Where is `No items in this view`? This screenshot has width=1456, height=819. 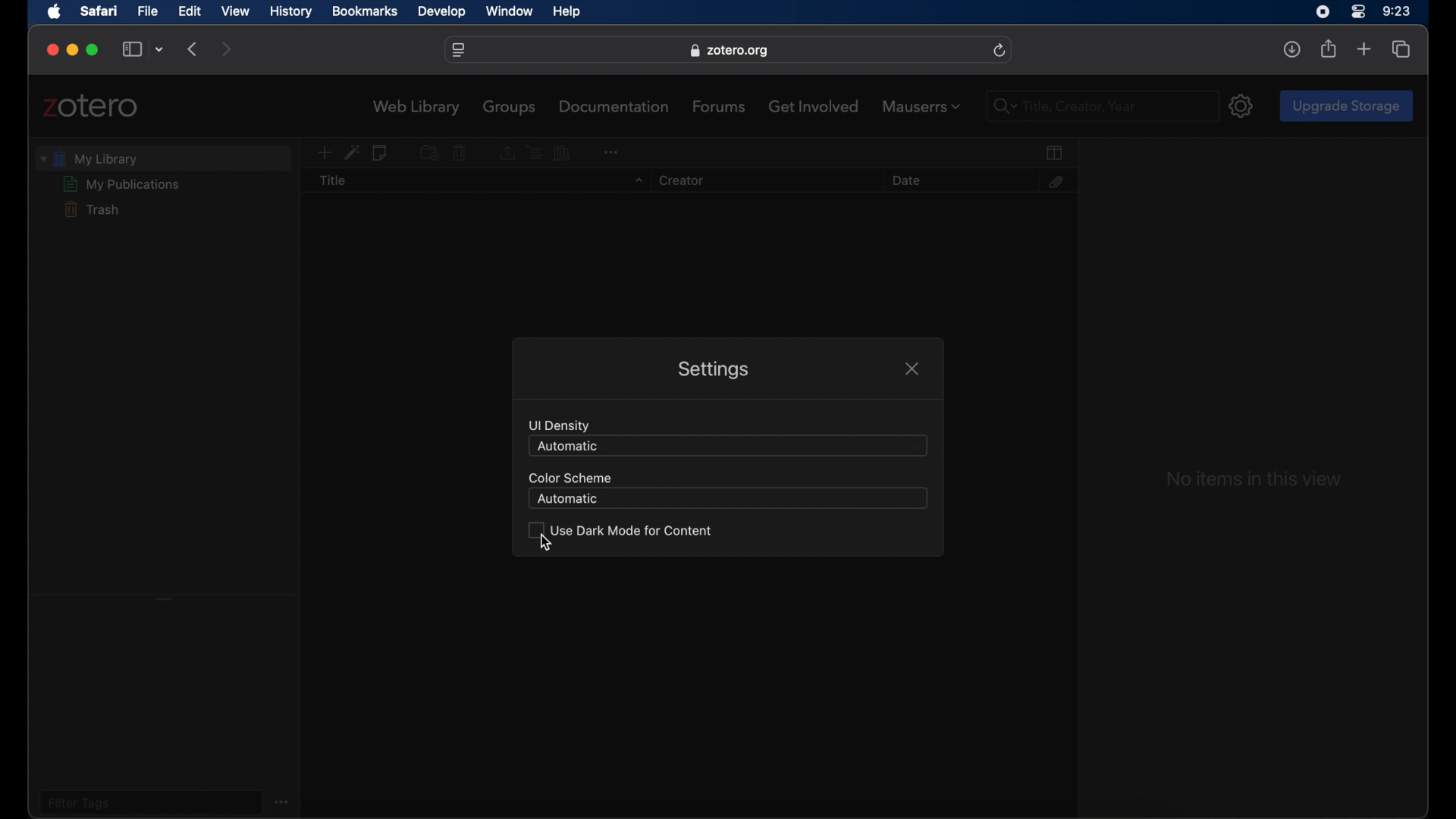
No items in this view is located at coordinates (1253, 479).